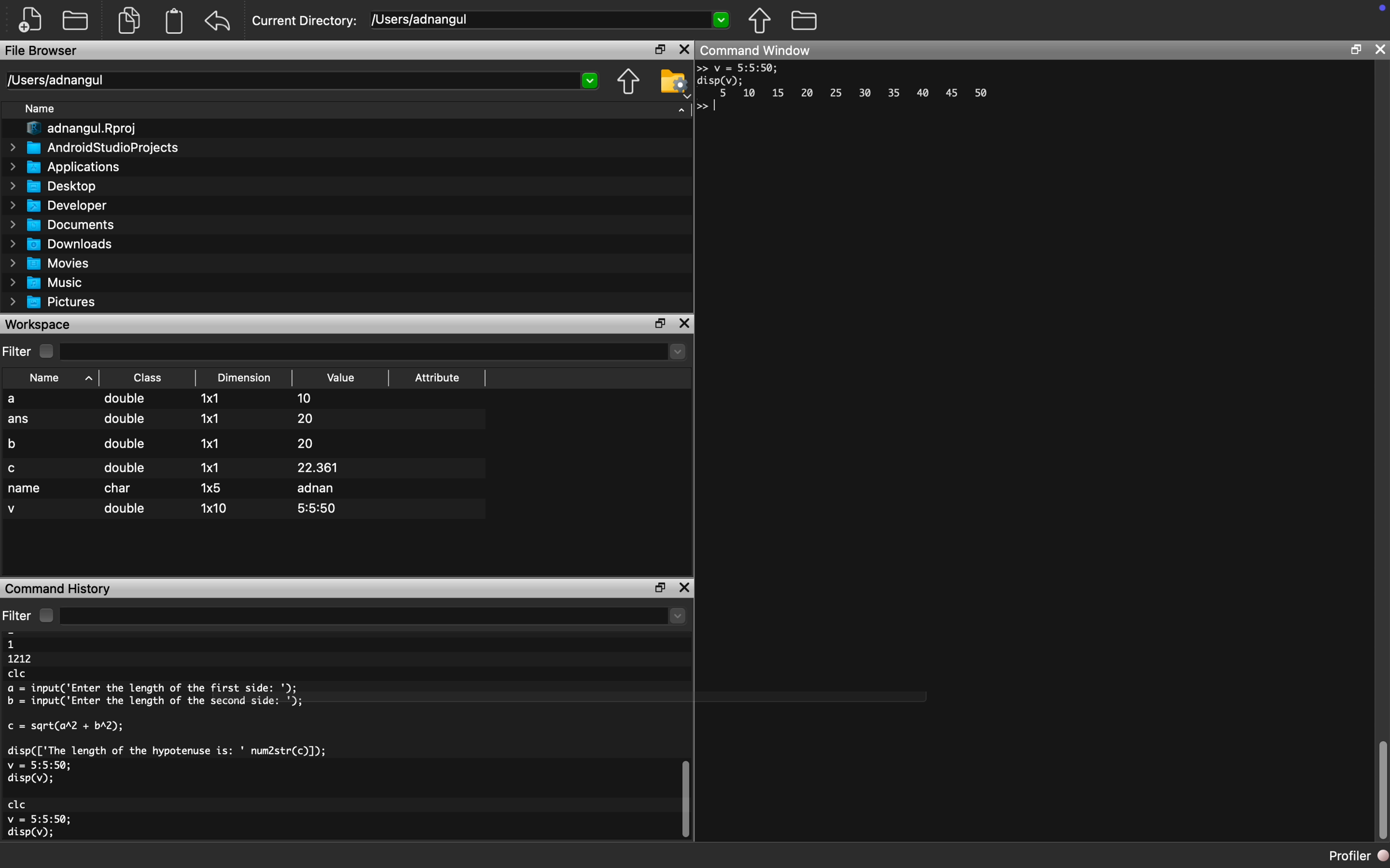  I want to click on 20, so click(307, 418).